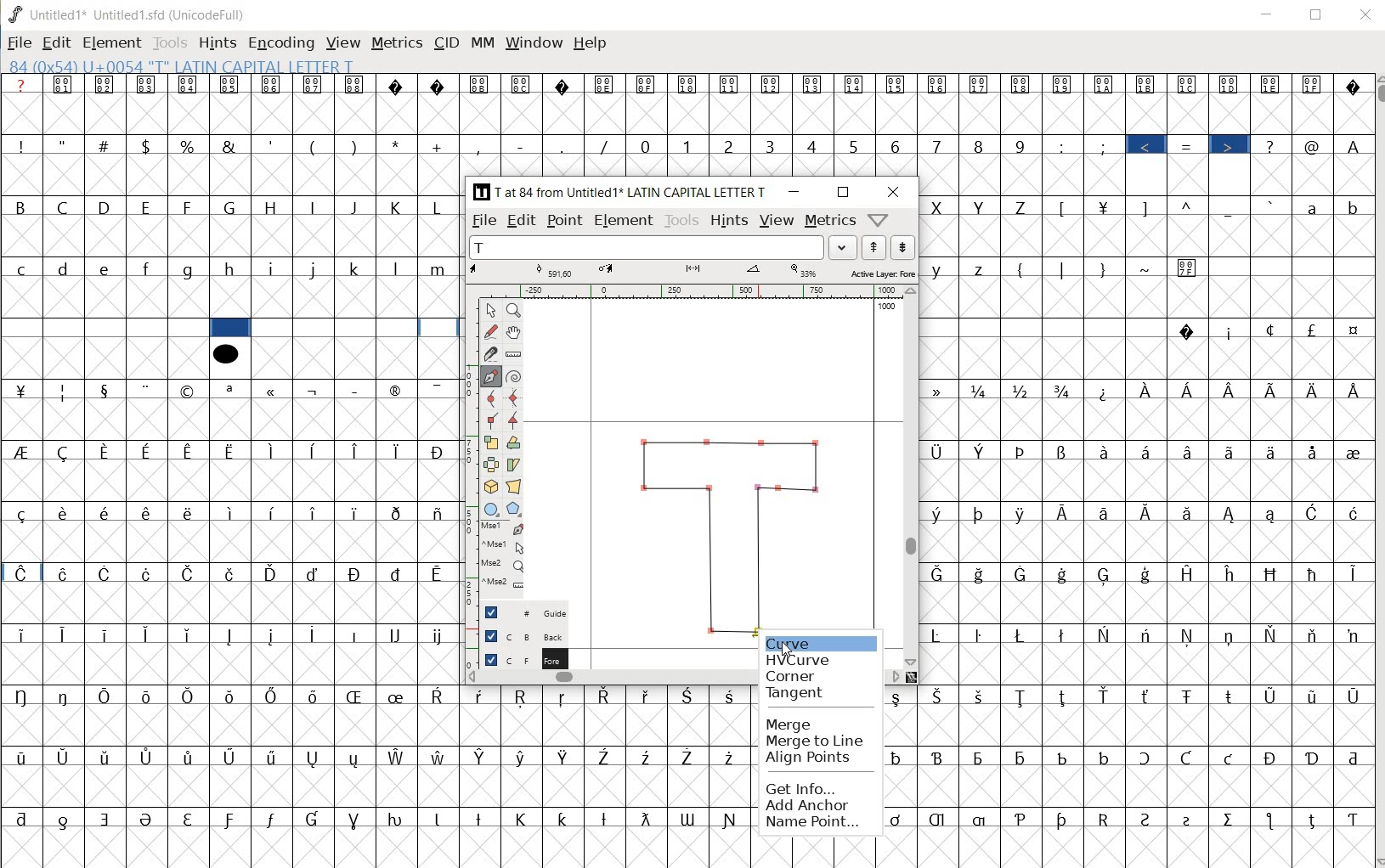 This screenshot has width=1385, height=868. Describe the element at coordinates (356, 573) in the screenshot. I see `Symbol` at that location.